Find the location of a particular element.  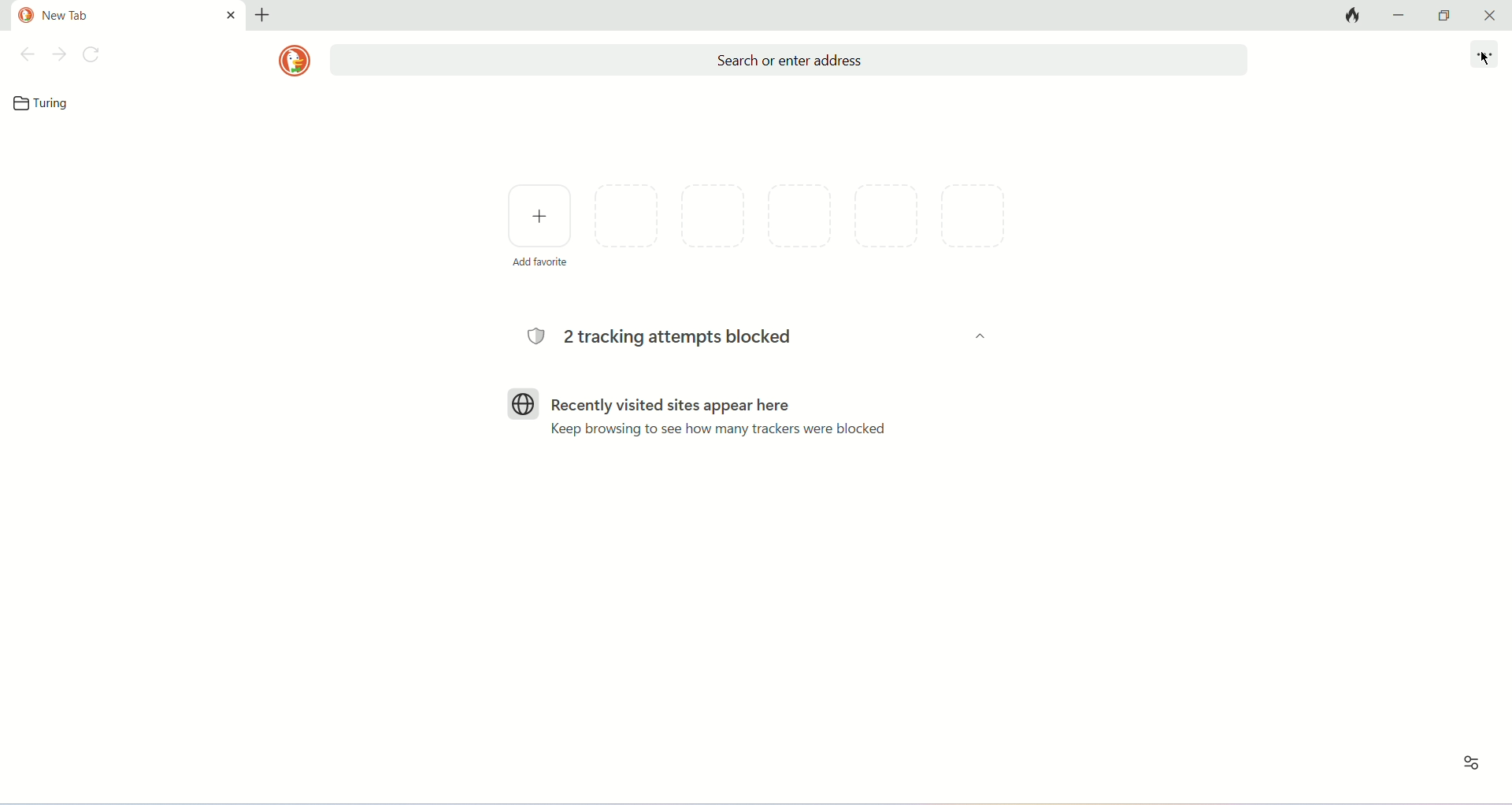

logo is located at coordinates (295, 61).